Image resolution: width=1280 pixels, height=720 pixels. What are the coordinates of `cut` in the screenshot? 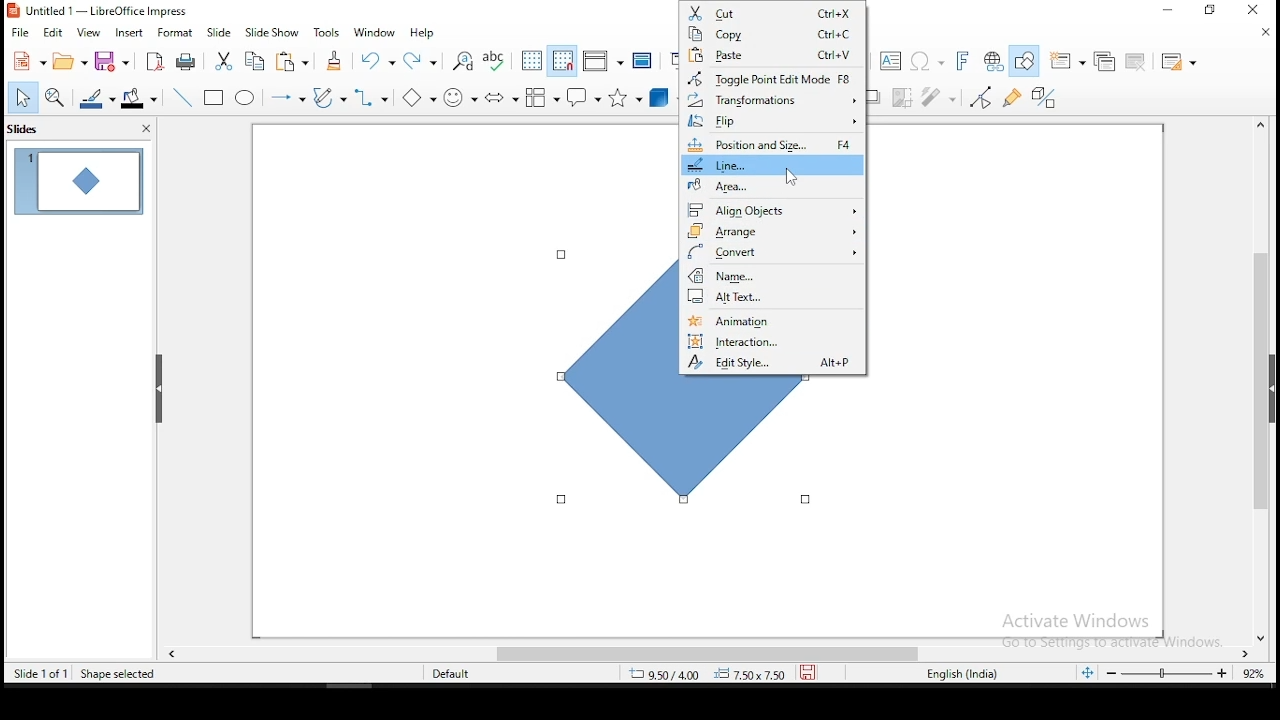 It's located at (224, 63).